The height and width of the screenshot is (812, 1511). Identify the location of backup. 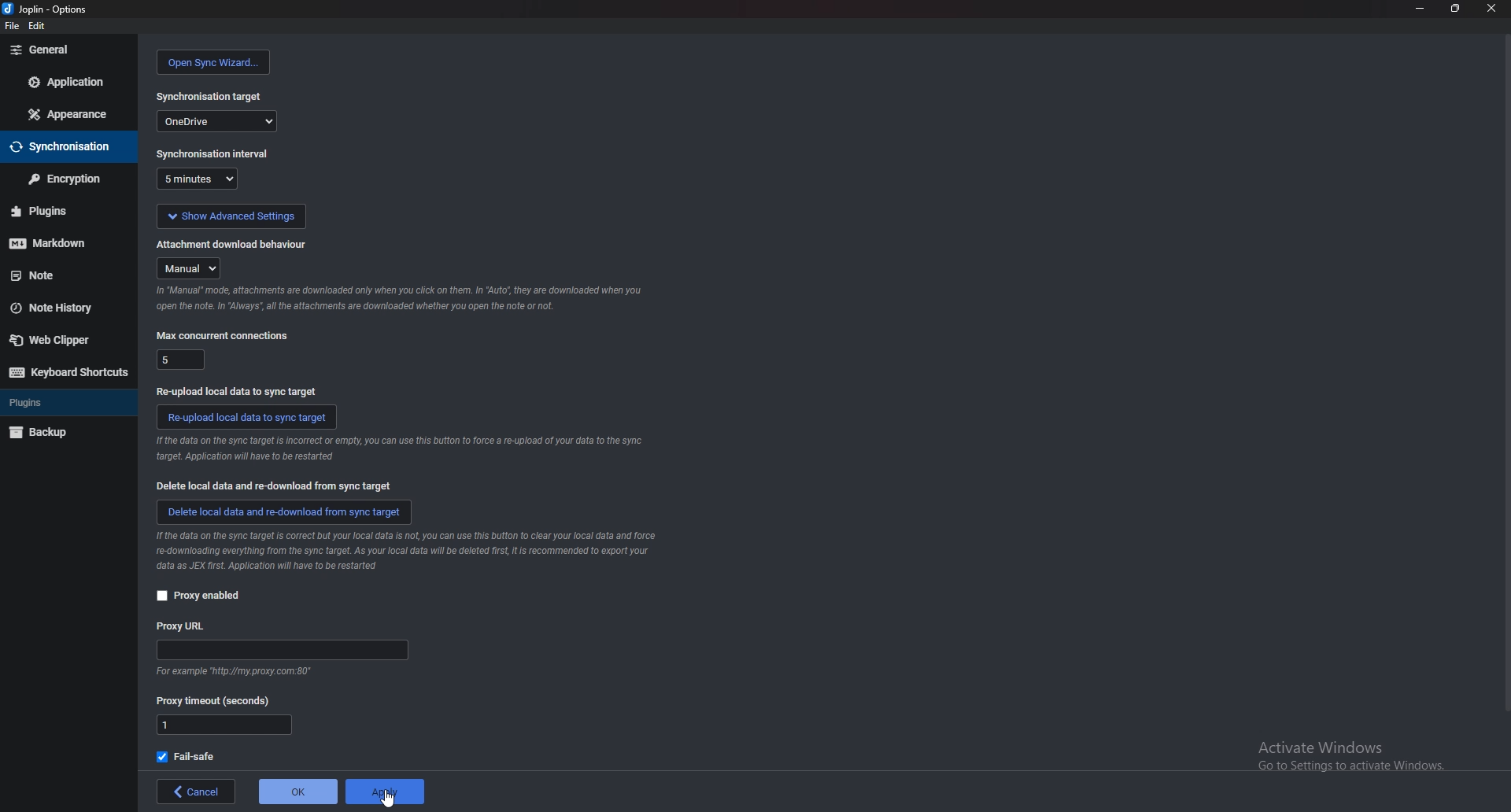
(46, 434).